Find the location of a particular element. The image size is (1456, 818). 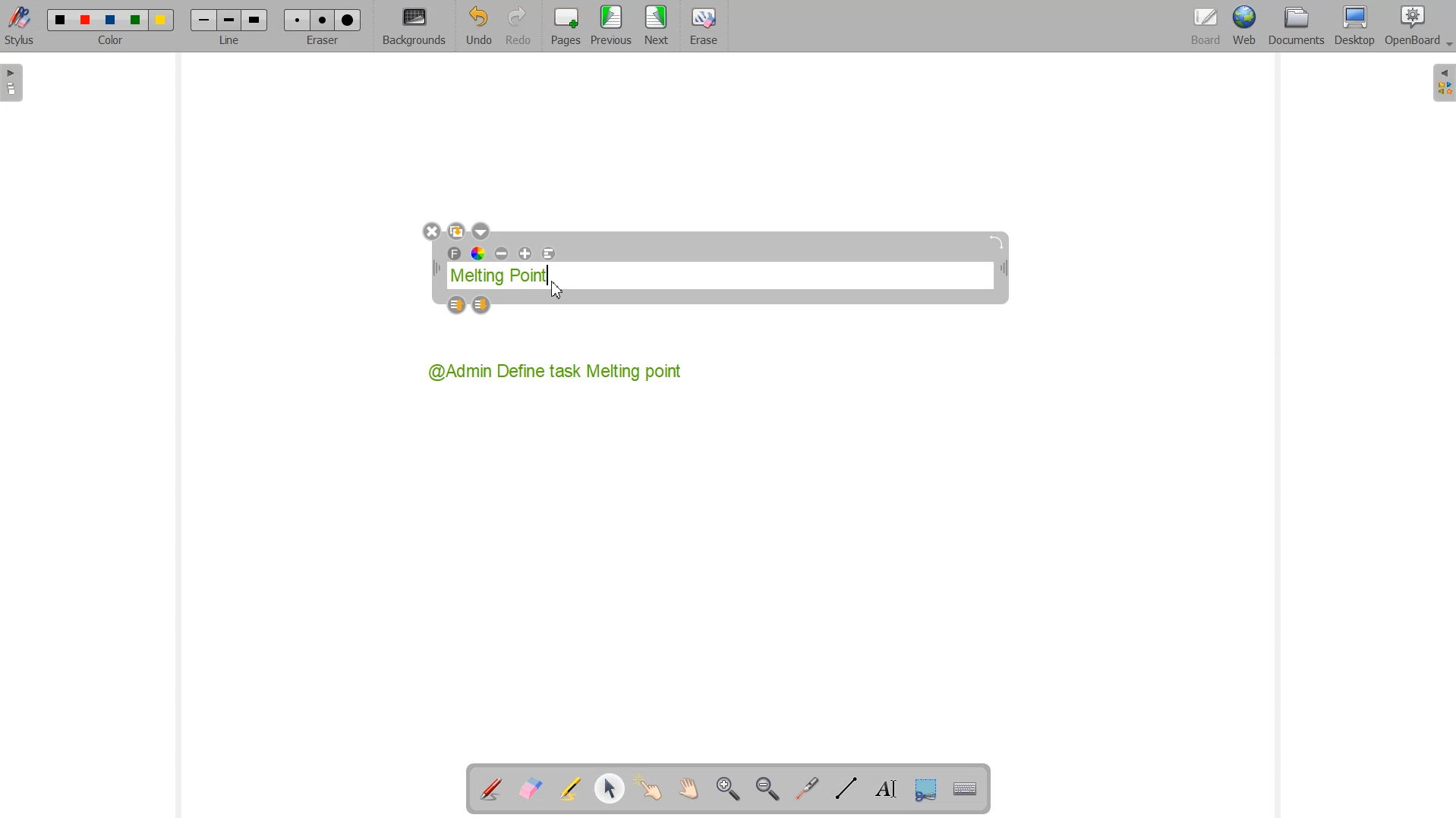

OpenBoard is located at coordinates (1411, 27).